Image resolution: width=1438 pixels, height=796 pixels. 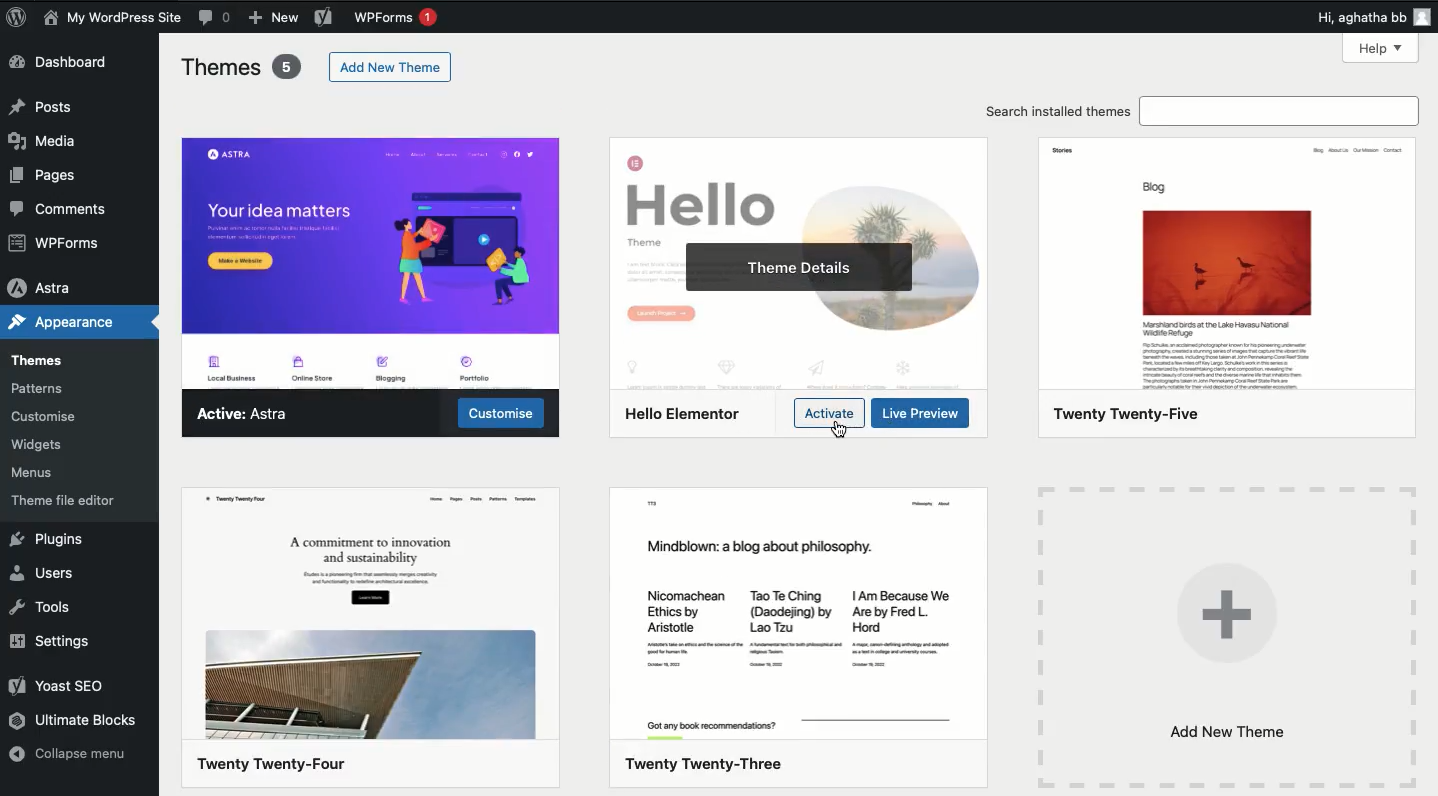 I want to click on Theme 1, so click(x=371, y=259).